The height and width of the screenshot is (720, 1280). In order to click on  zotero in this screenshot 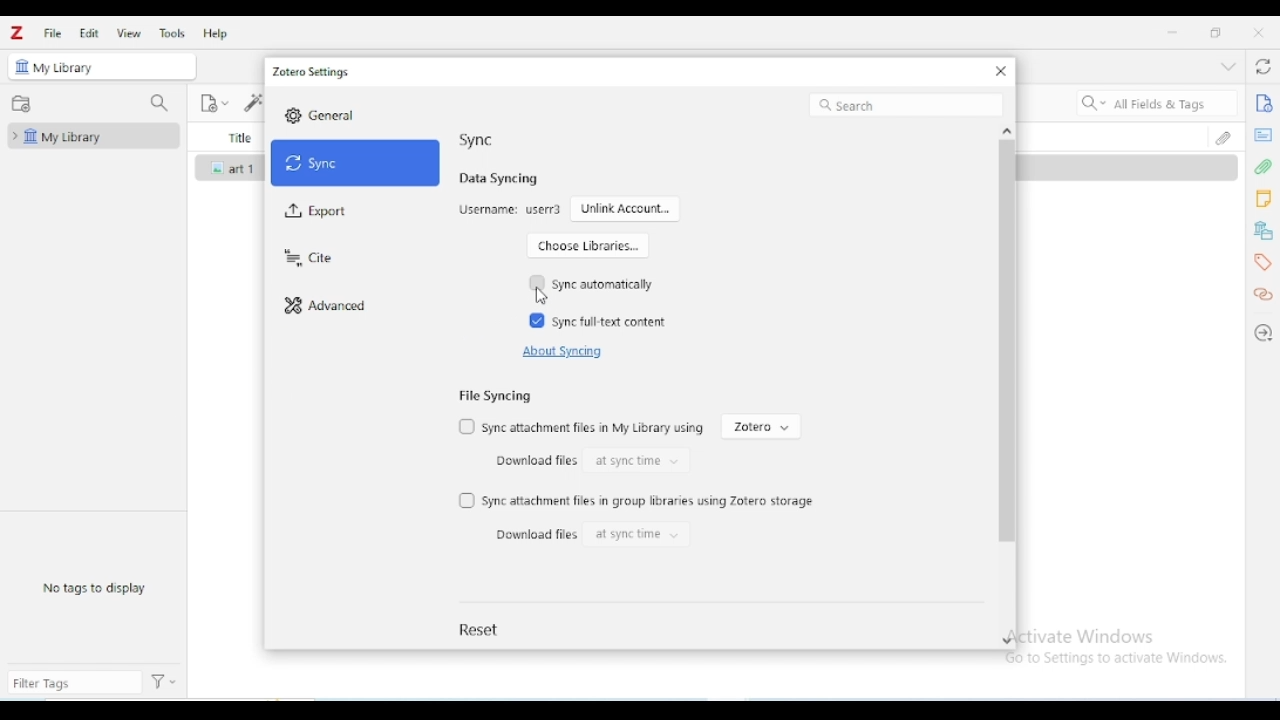, I will do `click(761, 427)`.